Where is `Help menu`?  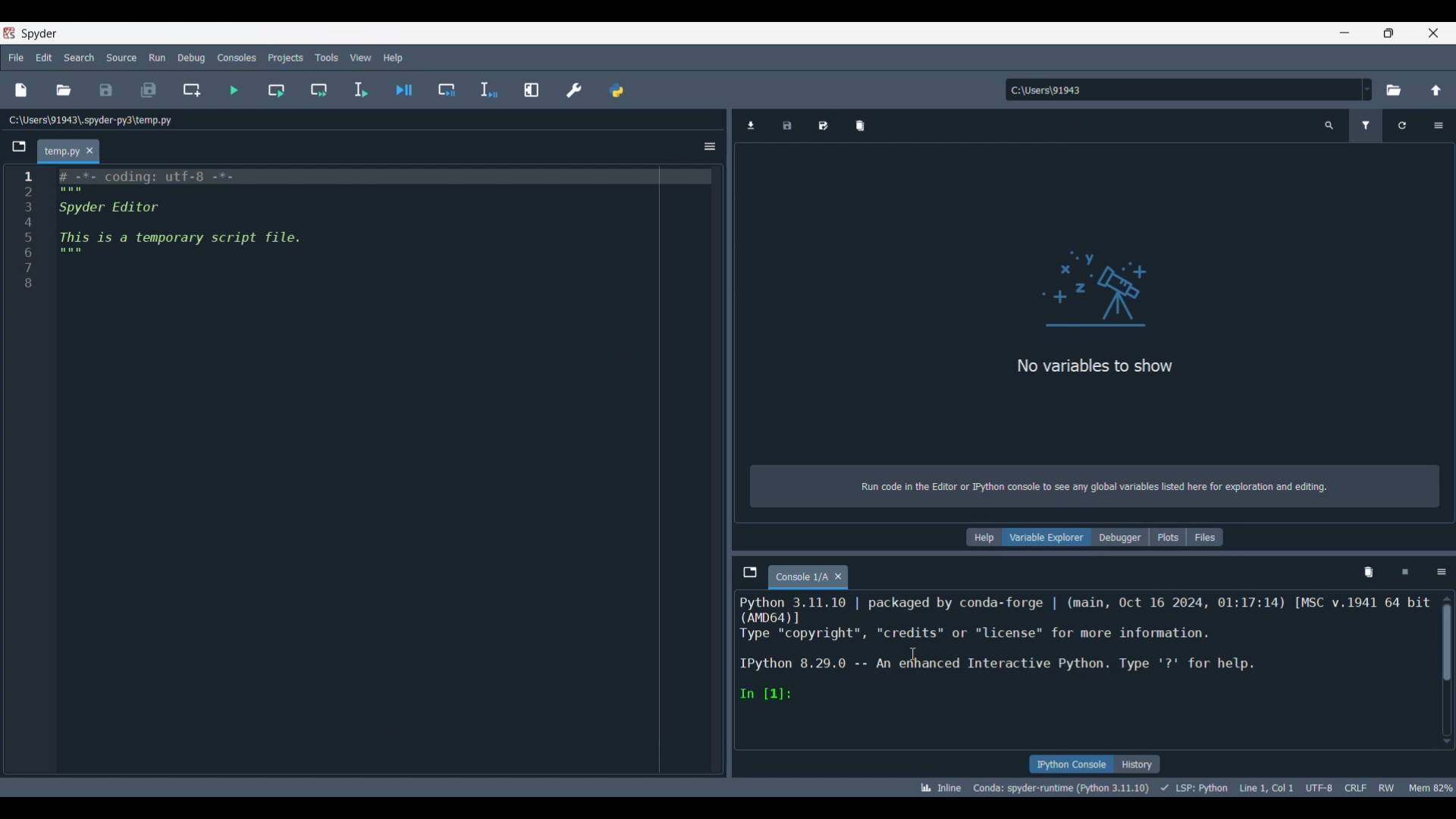
Help menu is located at coordinates (393, 58).